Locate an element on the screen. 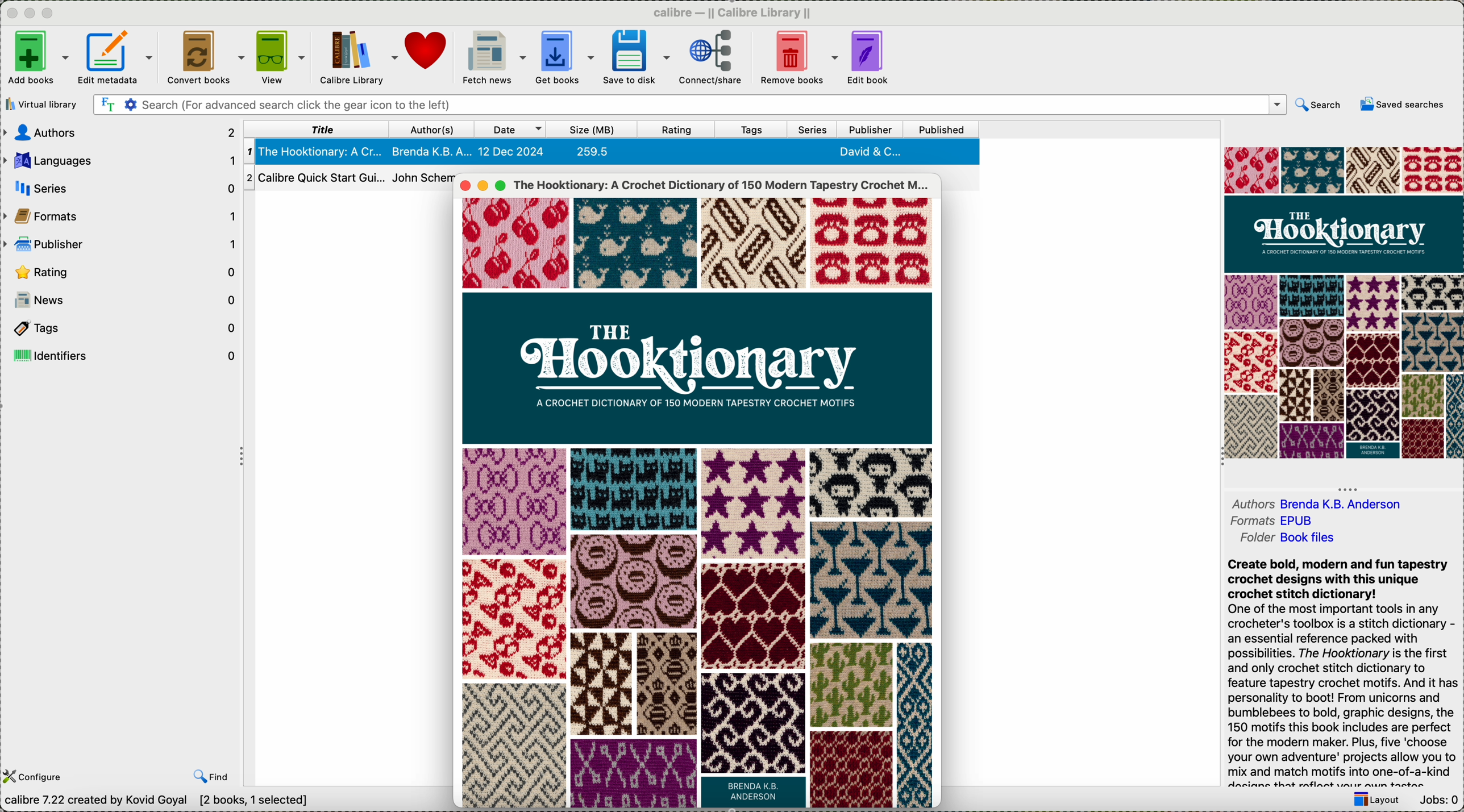 Image resolution: width=1464 pixels, height=812 pixels. formats is located at coordinates (122, 215).